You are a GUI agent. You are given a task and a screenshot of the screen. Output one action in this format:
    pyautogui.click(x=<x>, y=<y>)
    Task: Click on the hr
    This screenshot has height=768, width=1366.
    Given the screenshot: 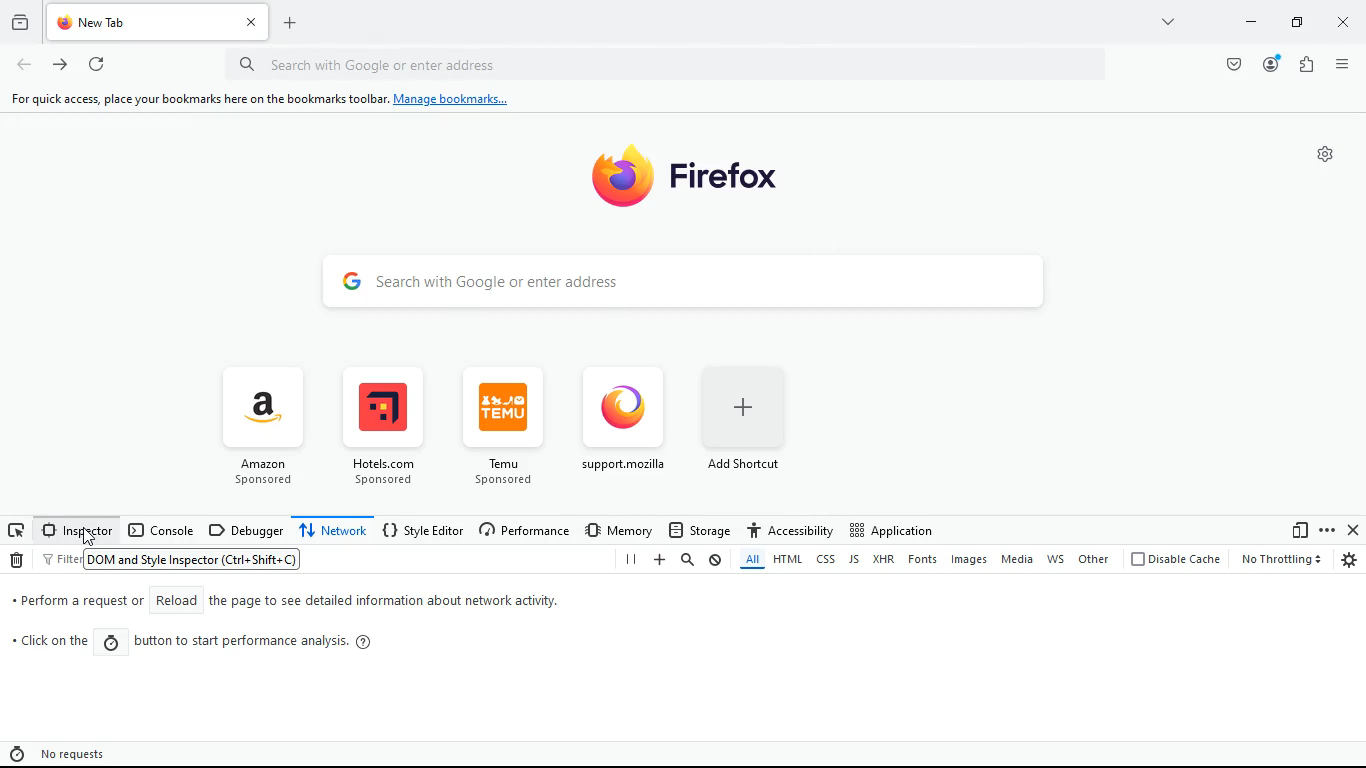 What is the action you would take?
    pyautogui.click(x=886, y=560)
    